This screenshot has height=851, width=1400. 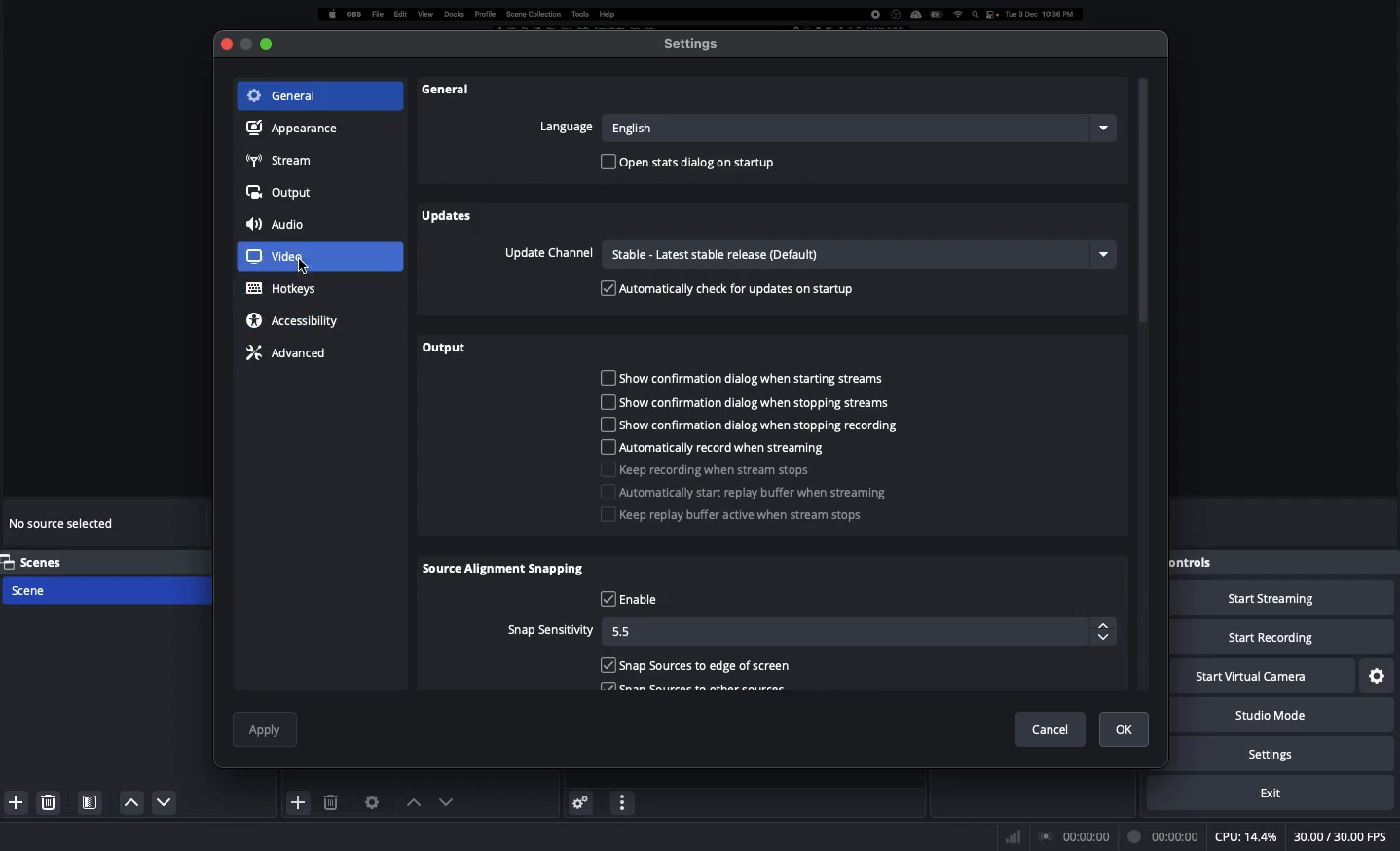 What do you see at coordinates (279, 159) in the screenshot?
I see `Stream` at bounding box center [279, 159].